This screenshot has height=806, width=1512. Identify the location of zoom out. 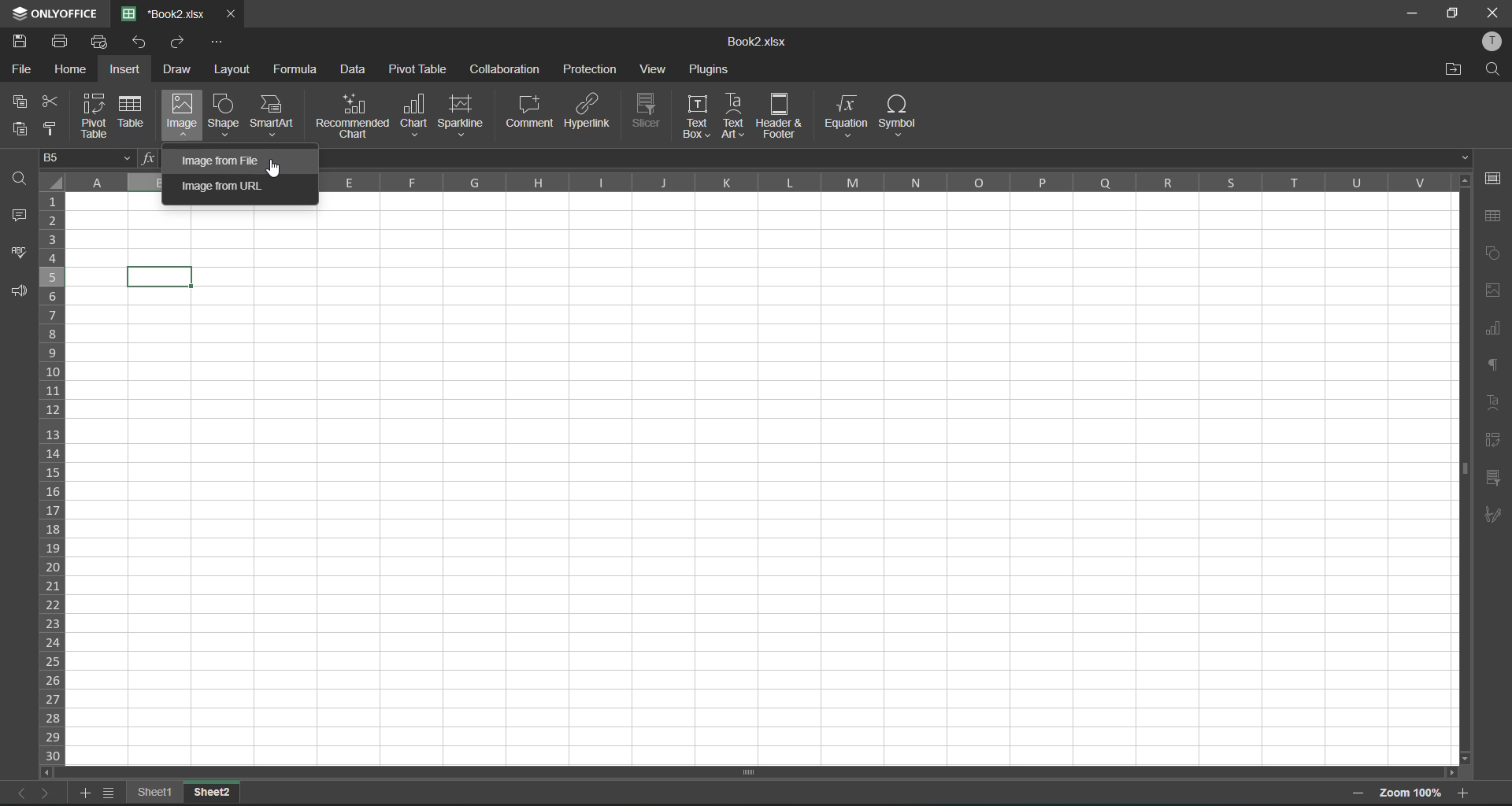
(1361, 795).